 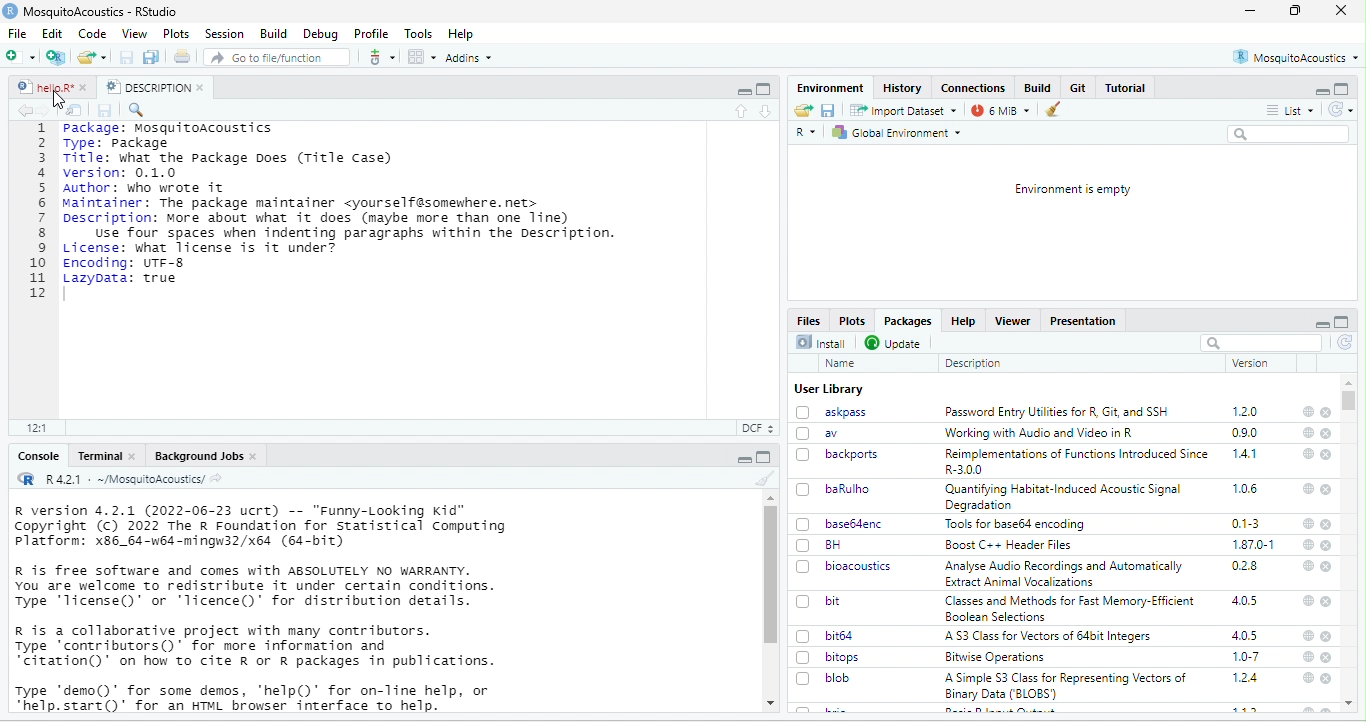 What do you see at coordinates (1064, 575) in the screenshot?
I see `Analyse Audio Recordings and Automatically Extract Animal Vocalizations` at bounding box center [1064, 575].